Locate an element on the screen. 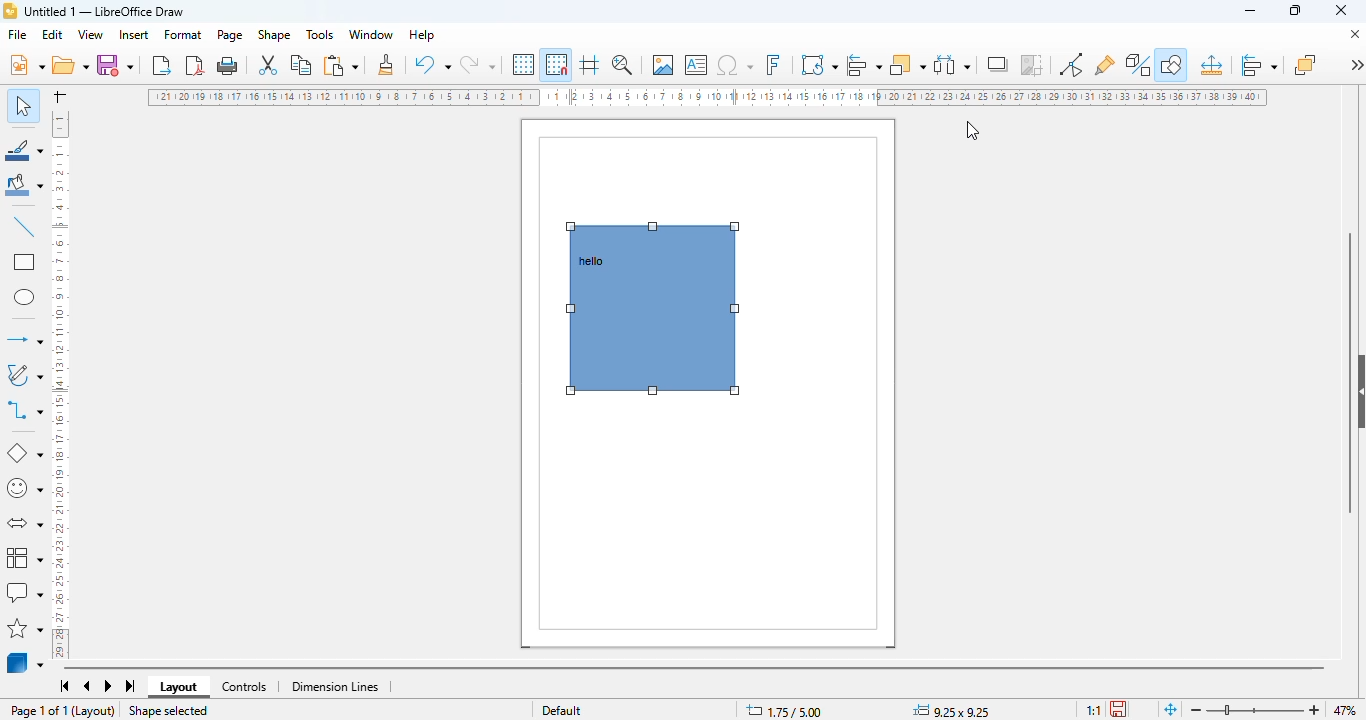 The image size is (1366, 720). window is located at coordinates (371, 34).